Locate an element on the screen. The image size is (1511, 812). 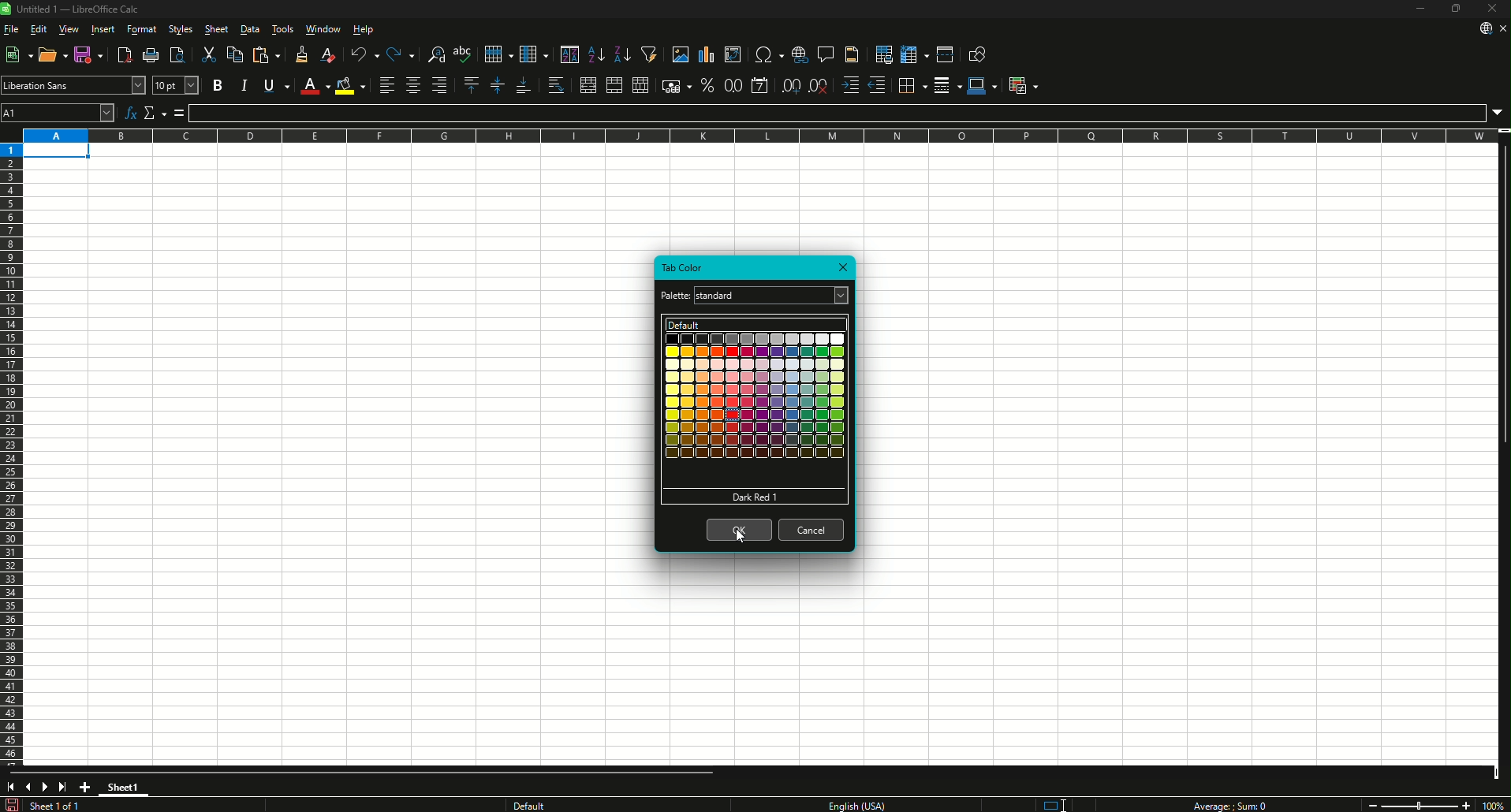
Split Window is located at coordinates (946, 54).